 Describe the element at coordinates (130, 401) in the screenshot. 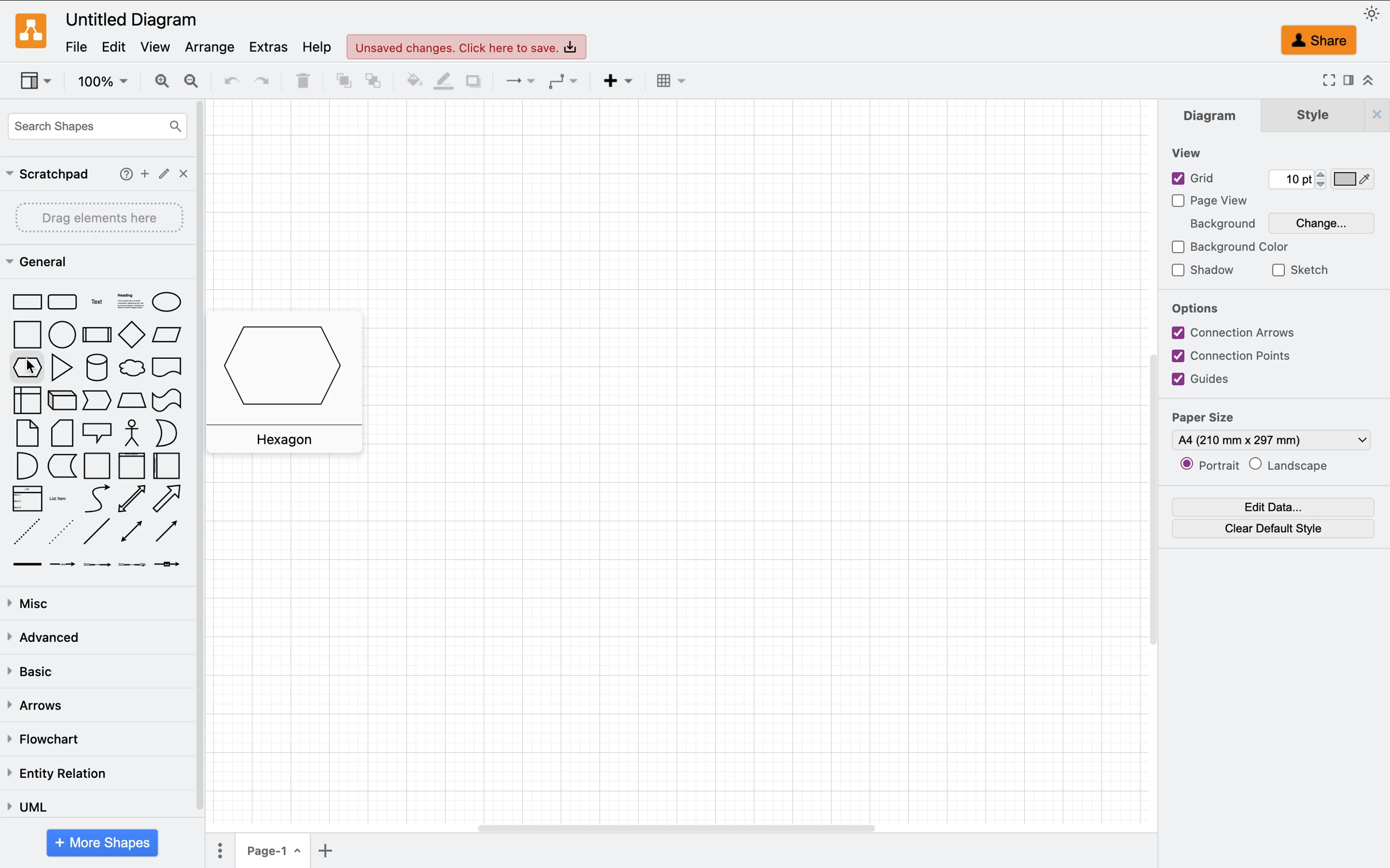

I see `trapezoid` at that location.